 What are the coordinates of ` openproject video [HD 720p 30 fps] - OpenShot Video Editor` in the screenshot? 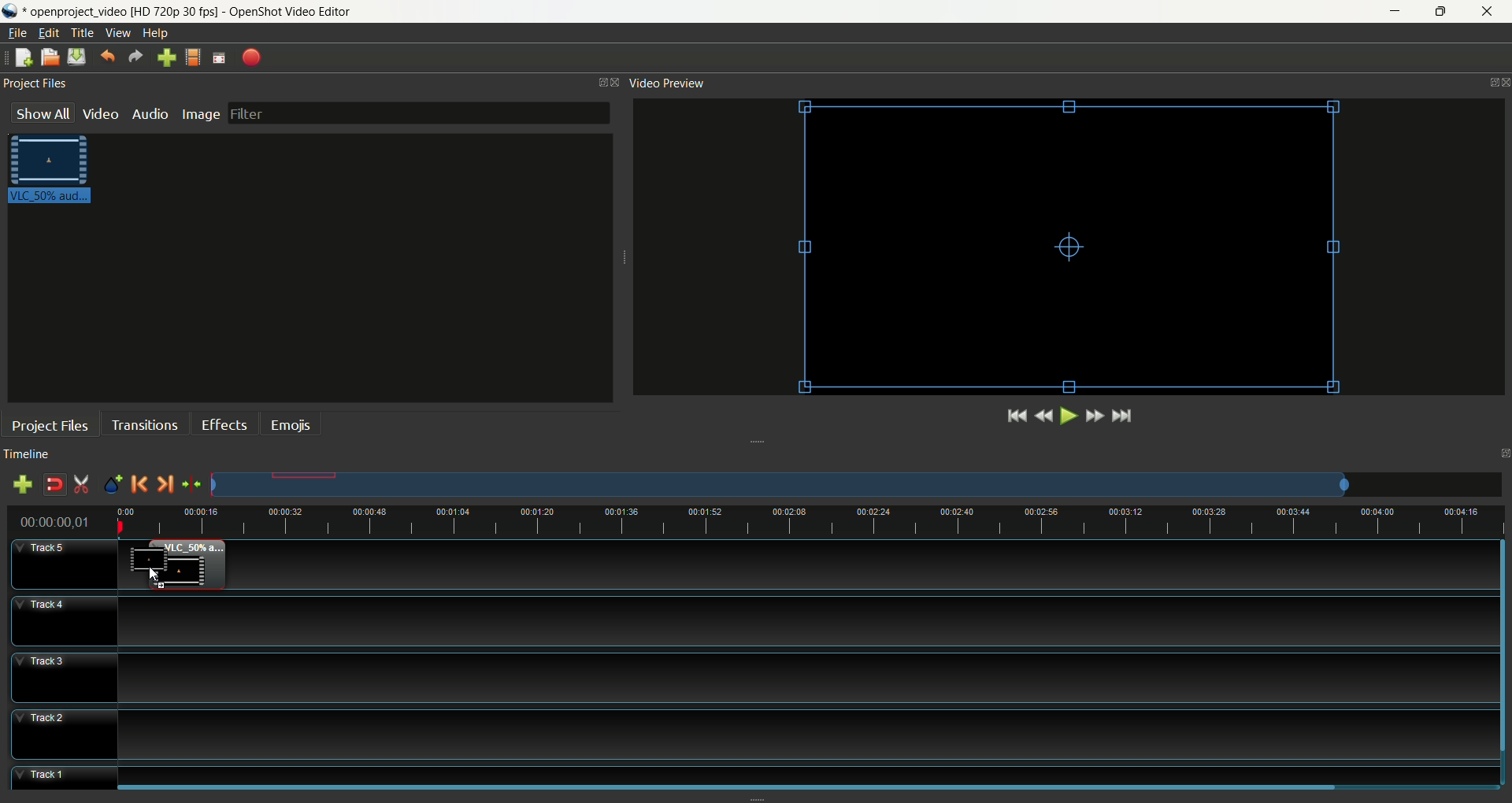 It's located at (189, 11).